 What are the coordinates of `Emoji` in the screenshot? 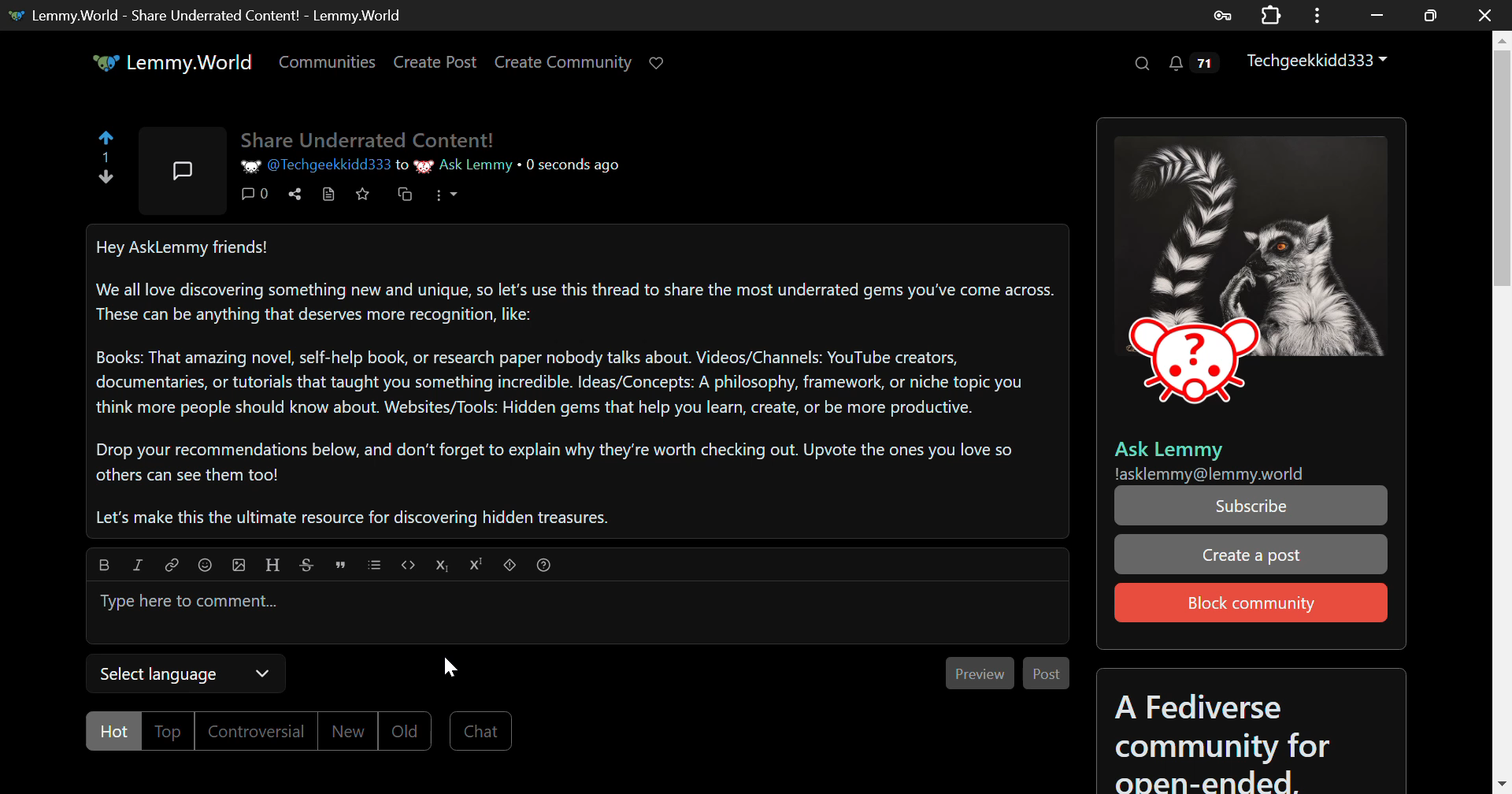 It's located at (204, 566).